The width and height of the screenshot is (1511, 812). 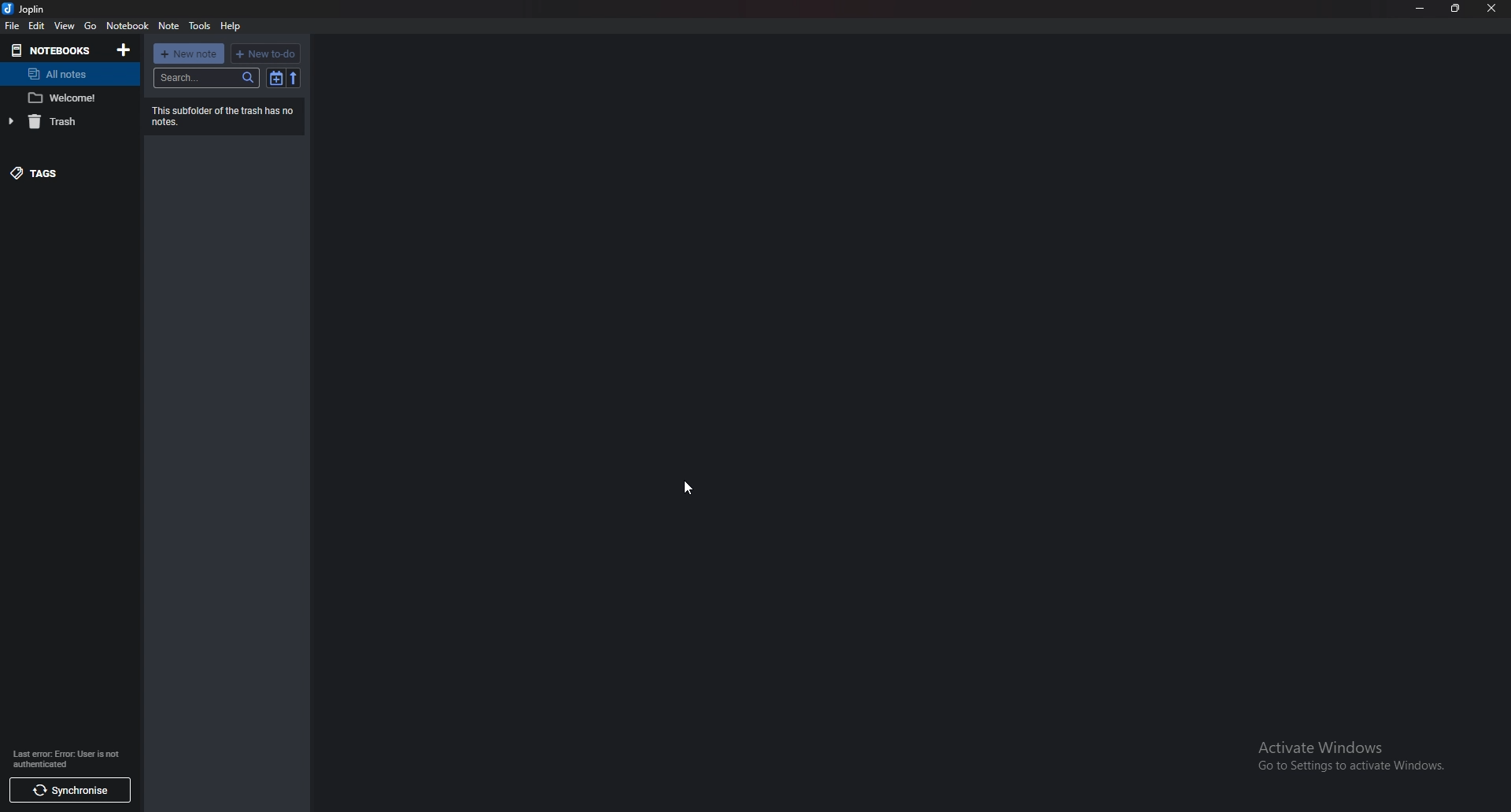 What do you see at coordinates (1456, 8) in the screenshot?
I see `Resize` at bounding box center [1456, 8].